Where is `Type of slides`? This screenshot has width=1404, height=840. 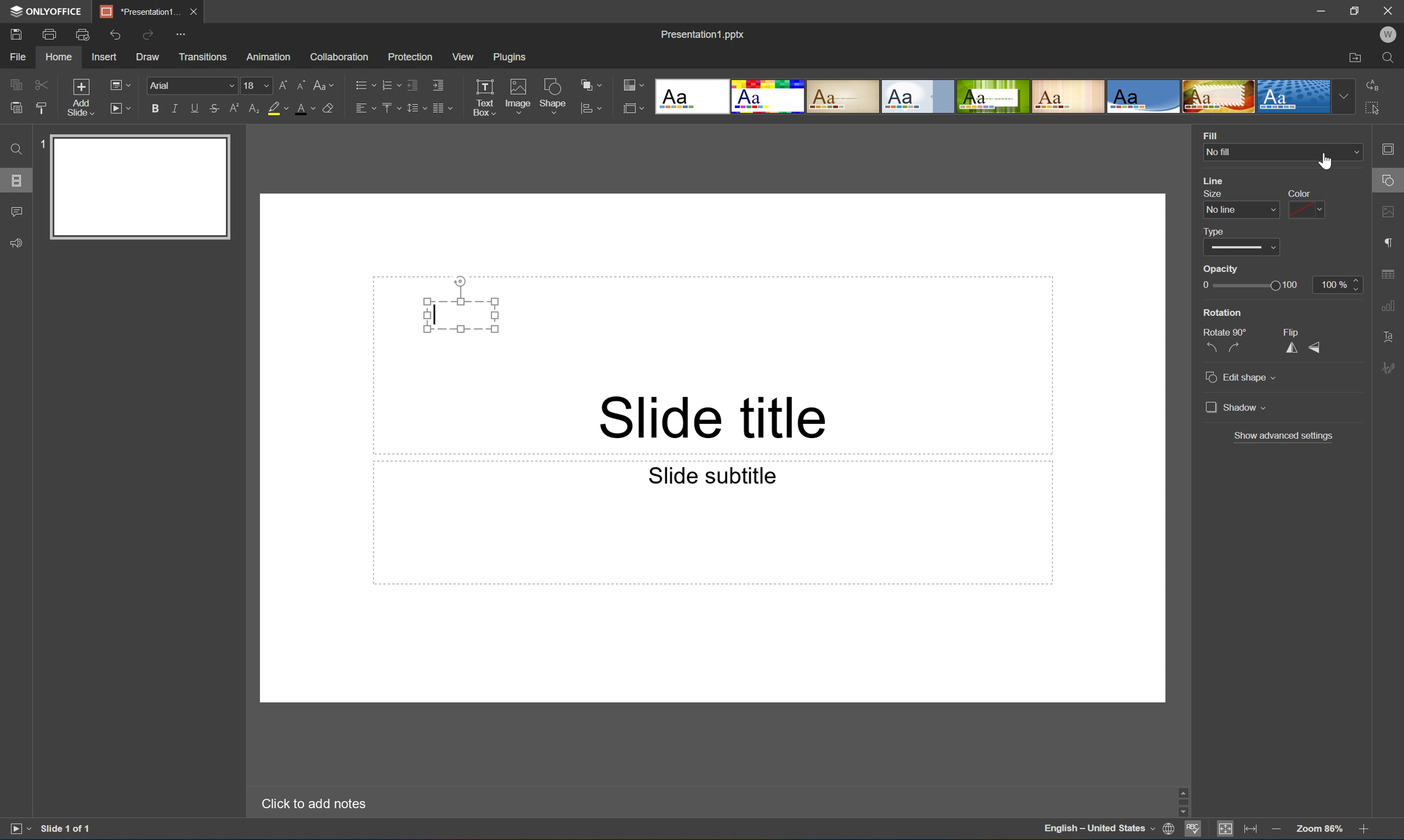
Type of slides is located at coordinates (992, 97).